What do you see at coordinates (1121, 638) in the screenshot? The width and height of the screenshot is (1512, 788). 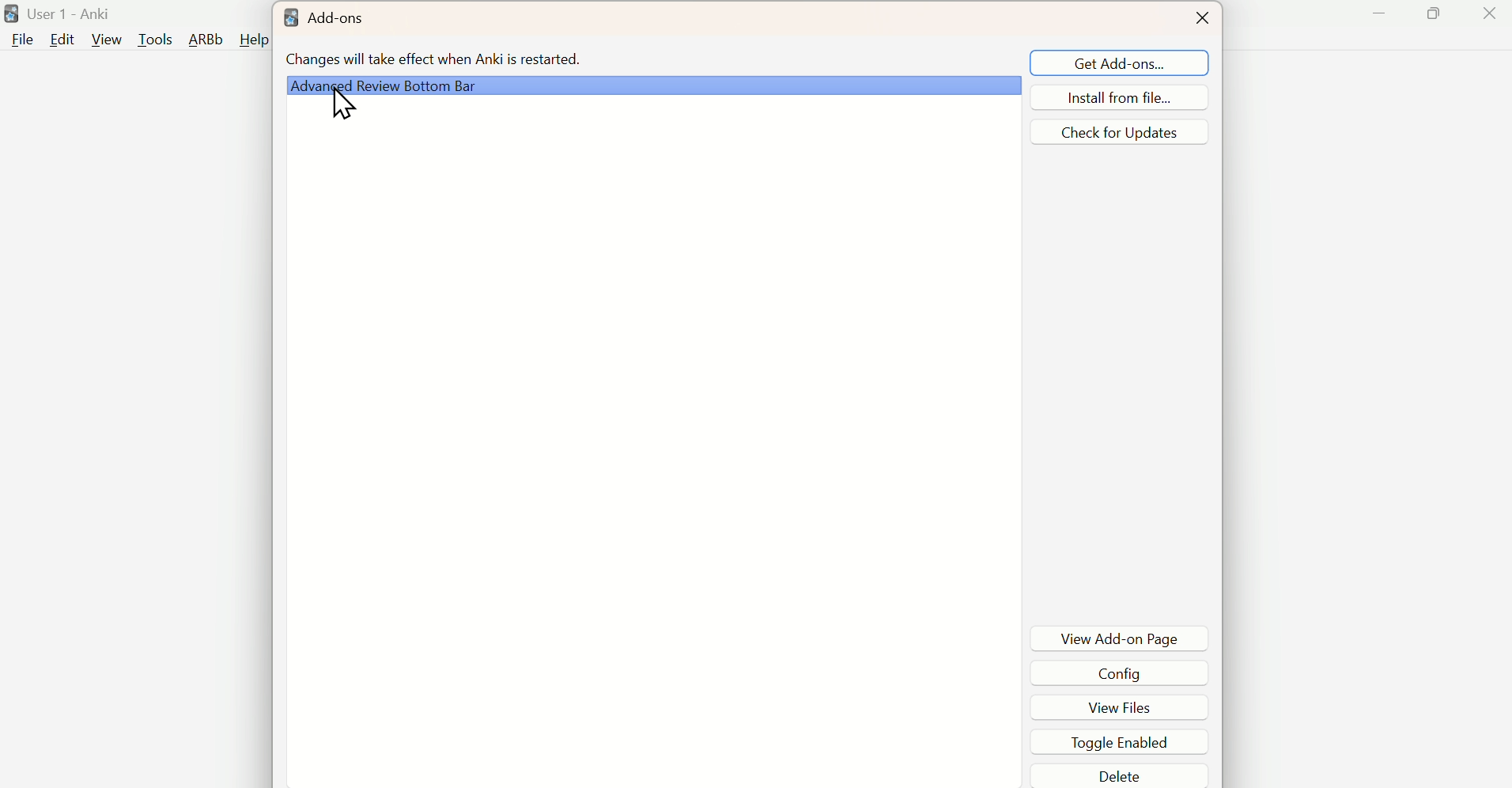 I see `View Add-on PageDe` at bounding box center [1121, 638].